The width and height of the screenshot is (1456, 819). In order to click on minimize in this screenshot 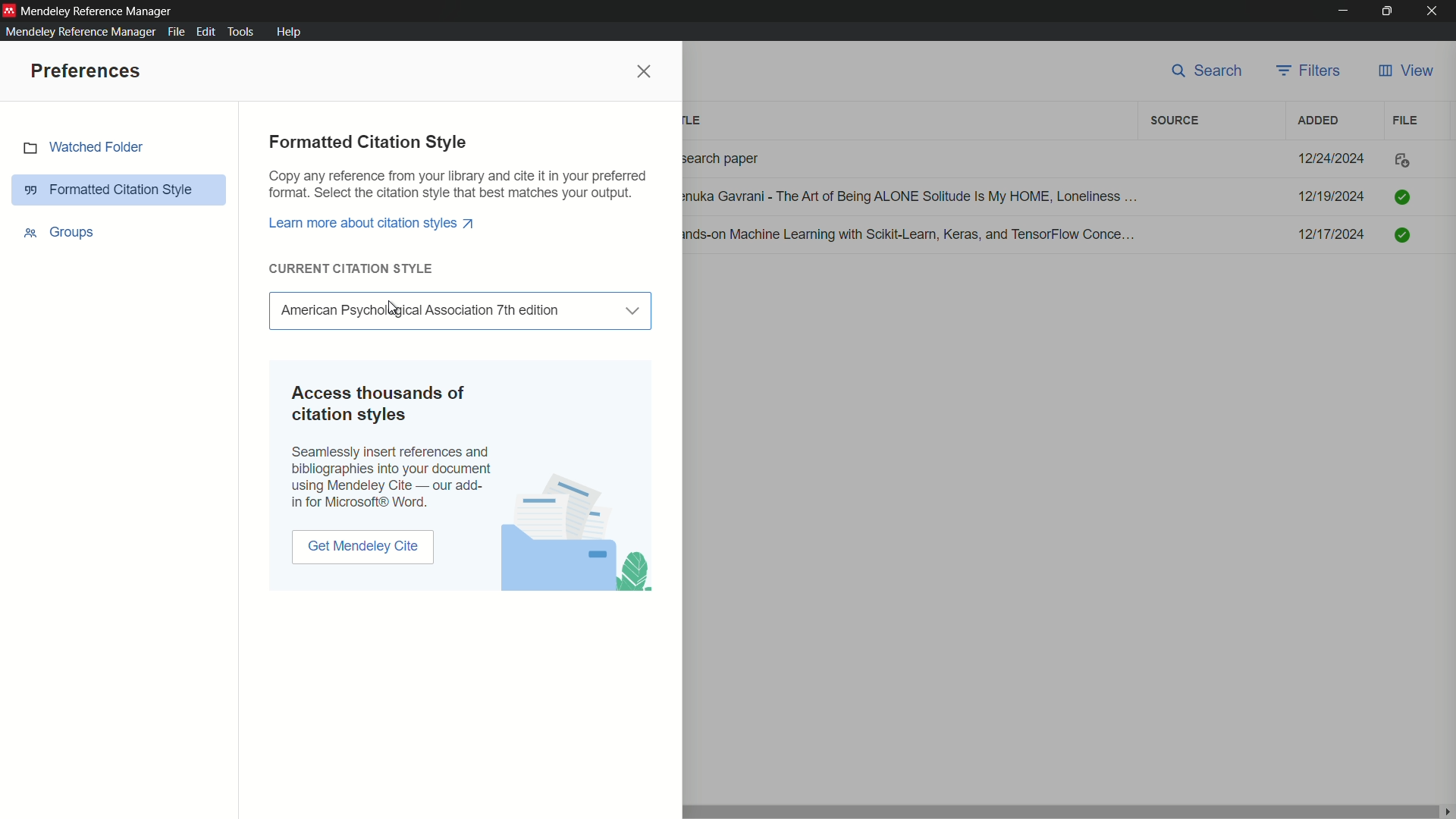, I will do `click(1341, 11)`.